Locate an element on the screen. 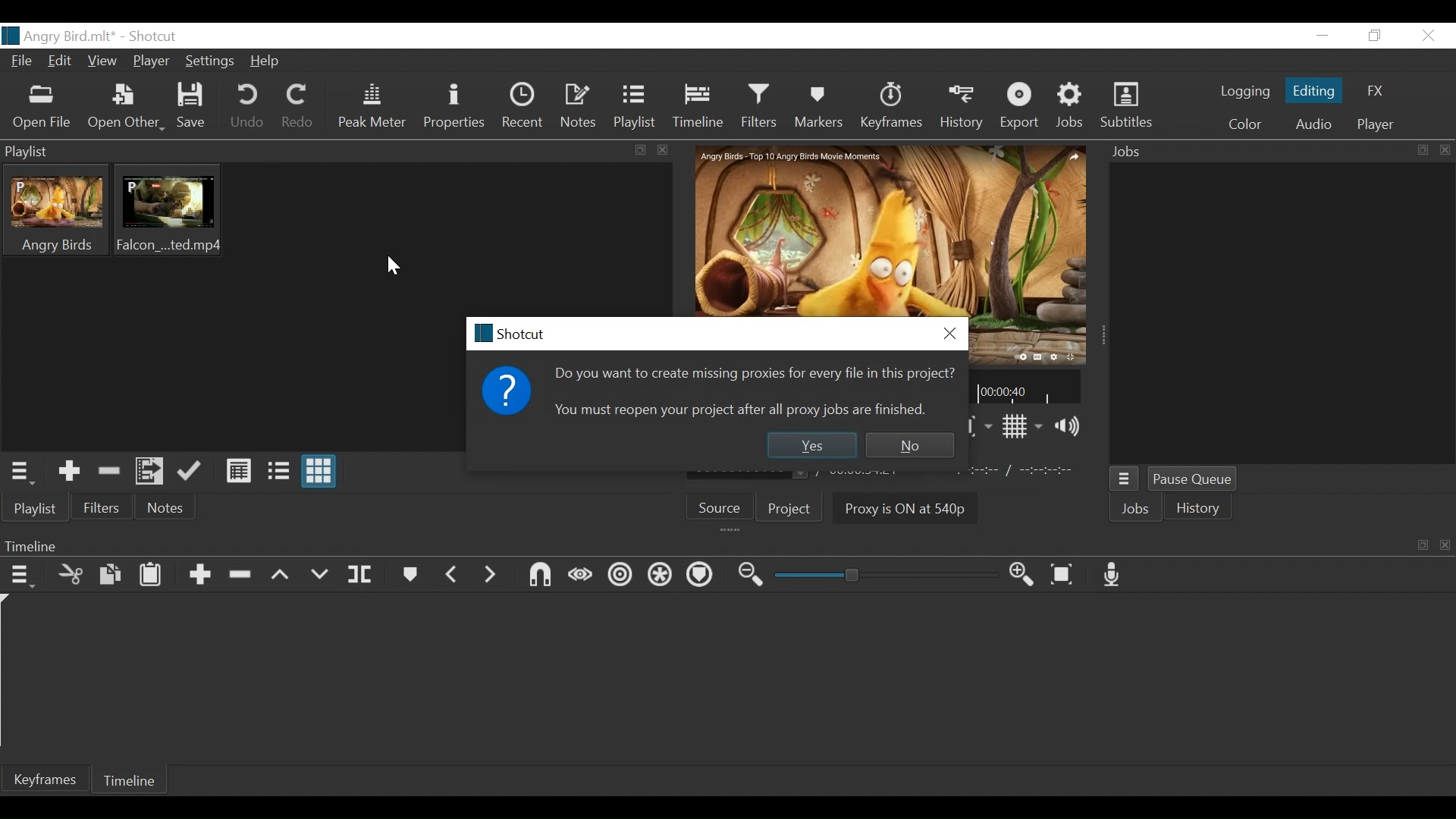  Timeline Panel is located at coordinates (723, 543).